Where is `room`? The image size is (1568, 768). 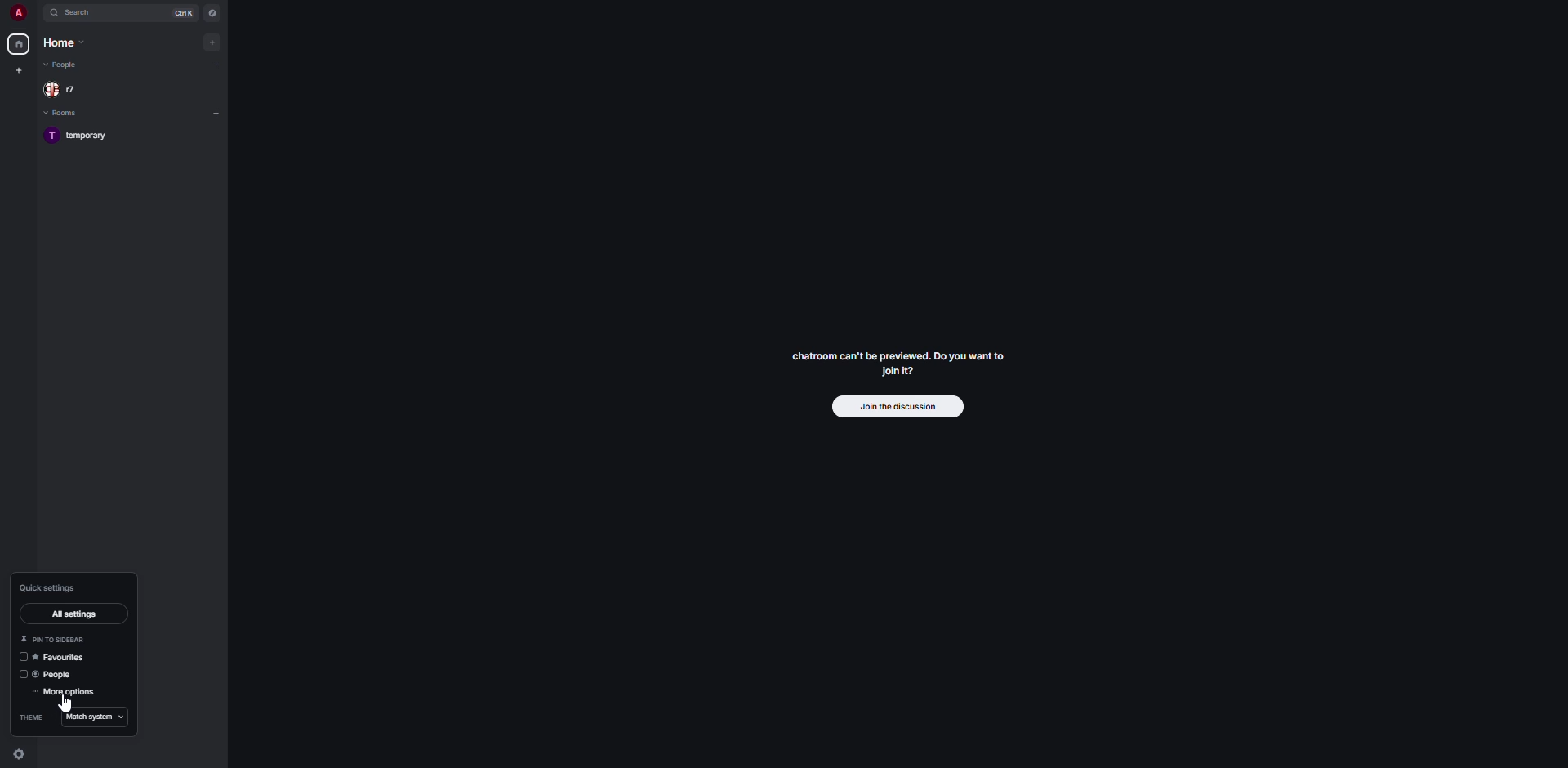 room is located at coordinates (81, 136).